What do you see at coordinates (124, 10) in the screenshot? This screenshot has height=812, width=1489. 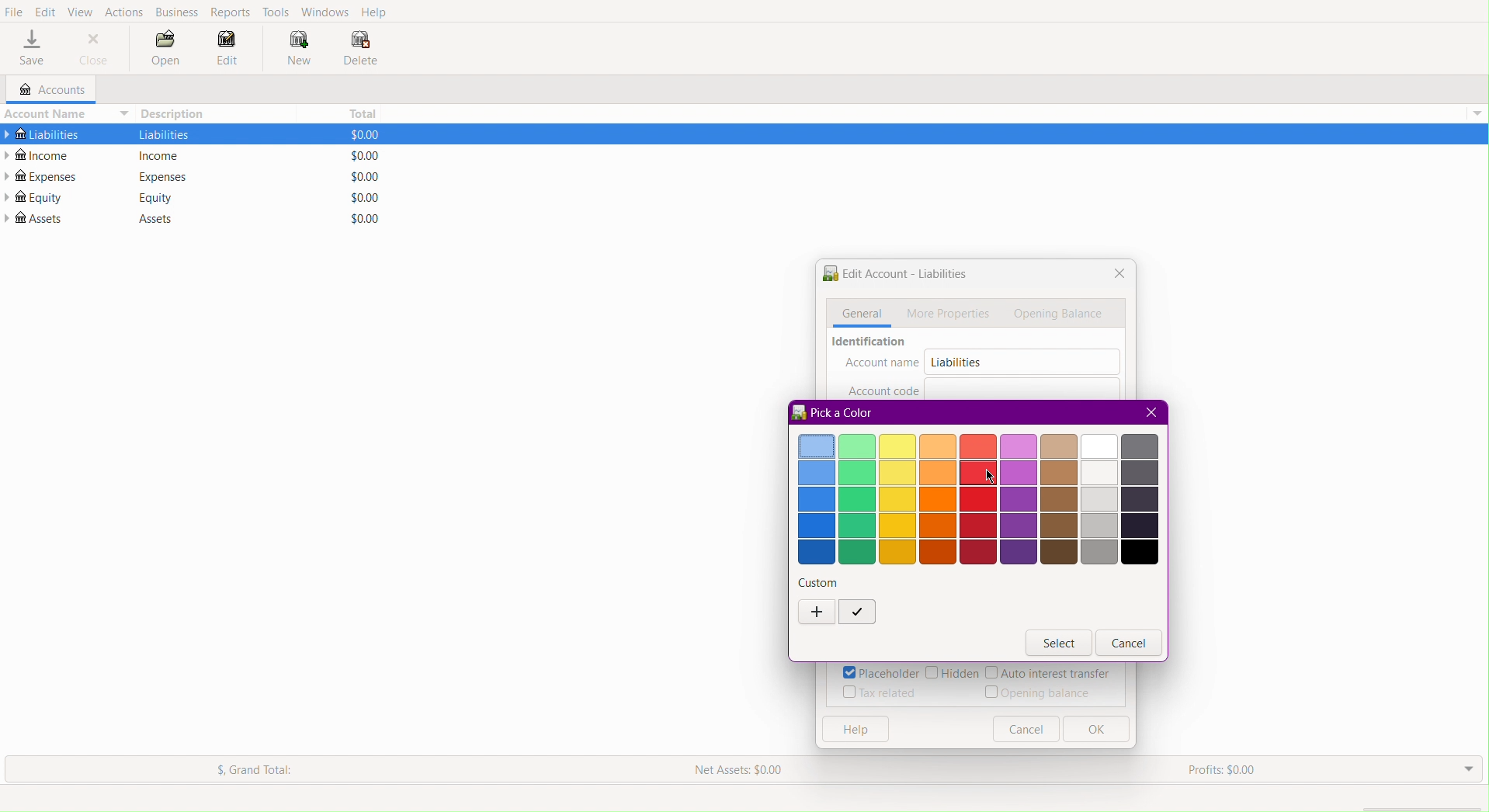 I see `Actions` at bounding box center [124, 10].